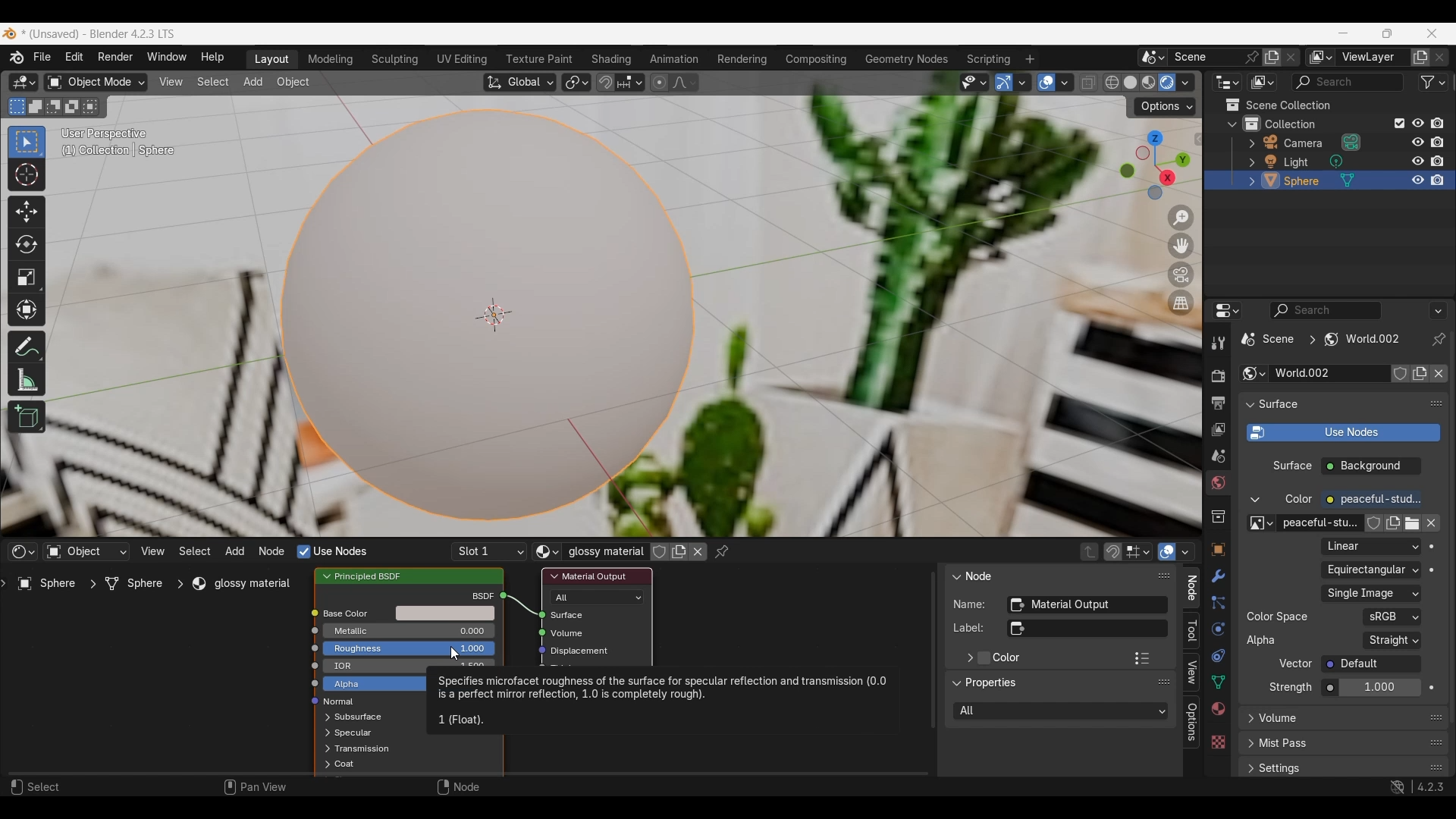  What do you see at coordinates (1167, 82) in the screenshot?
I see `Viewport shading: rendered` at bounding box center [1167, 82].